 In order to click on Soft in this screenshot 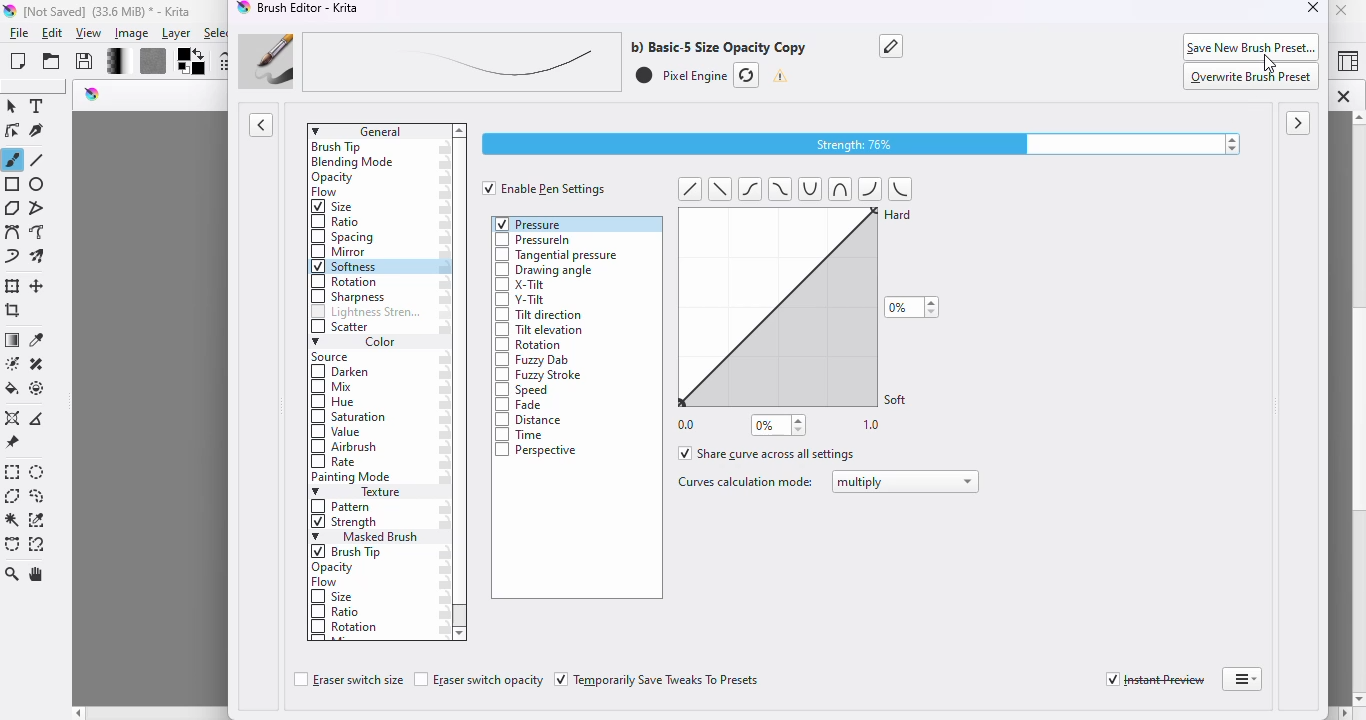, I will do `click(898, 398)`.